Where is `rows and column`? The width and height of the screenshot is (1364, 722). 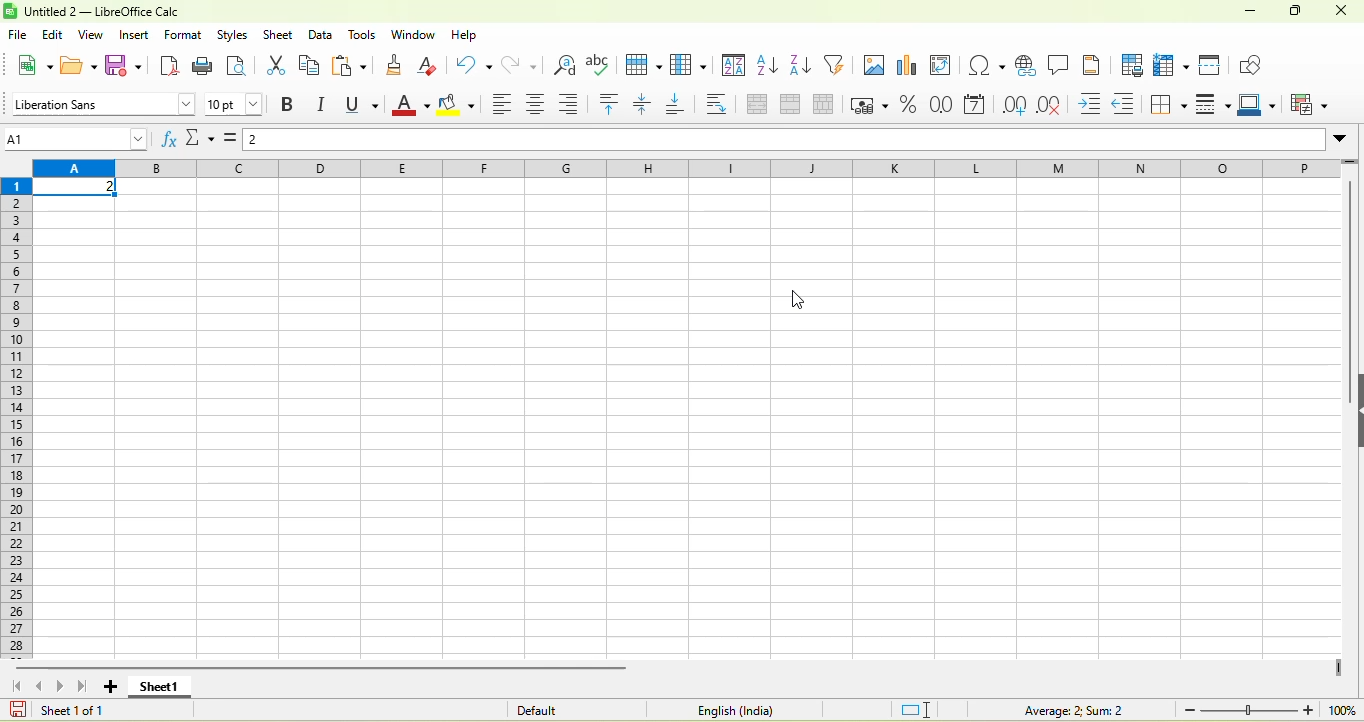
rows and column is located at coordinates (1171, 65).